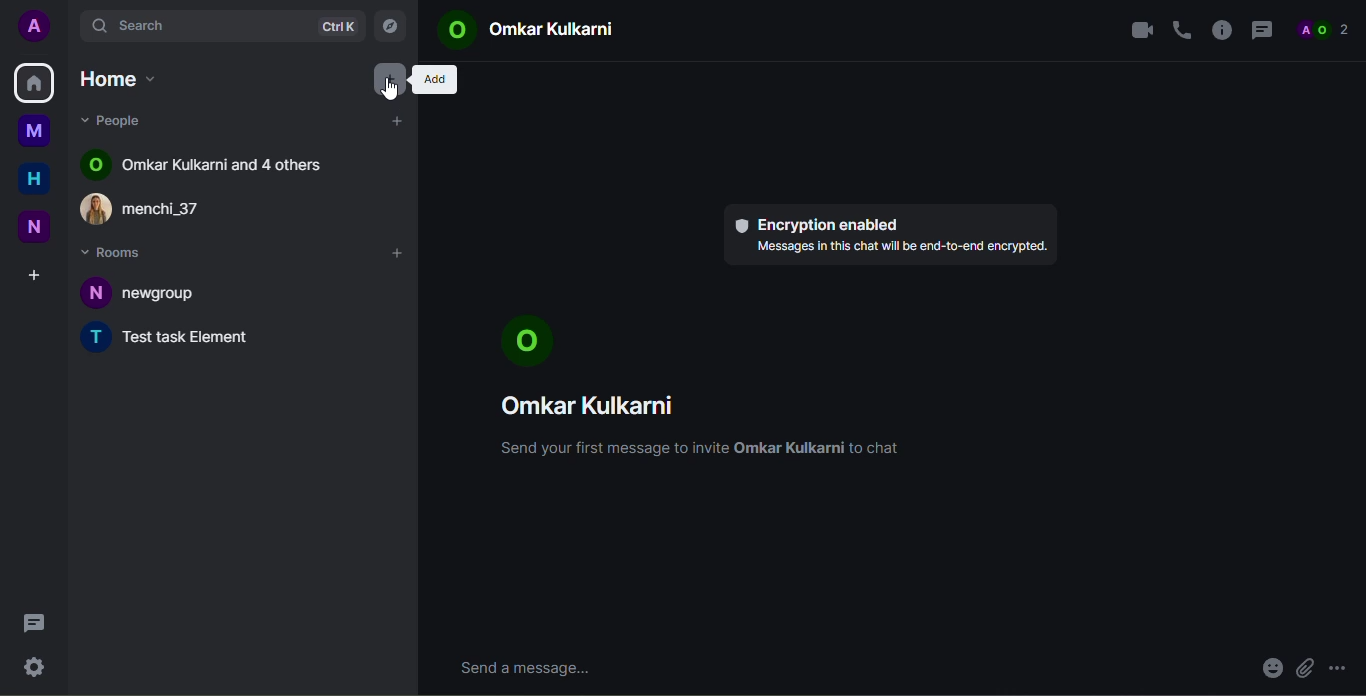 The width and height of the screenshot is (1366, 696). What do you see at coordinates (175, 339) in the screenshot?
I see `T Test task Element` at bounding box center [175, 339].